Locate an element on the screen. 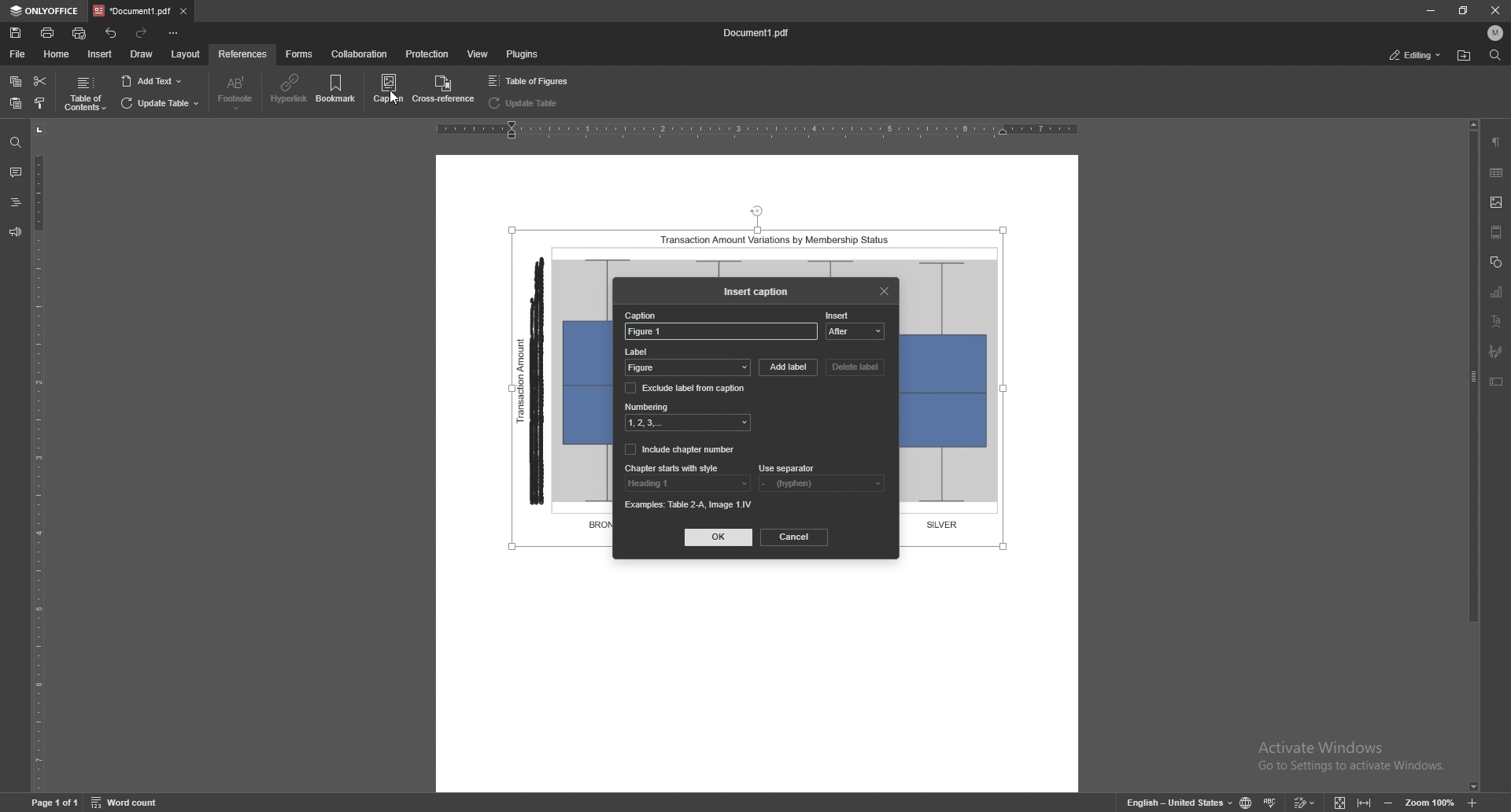  track changes is located at coordinates (1305, 802).